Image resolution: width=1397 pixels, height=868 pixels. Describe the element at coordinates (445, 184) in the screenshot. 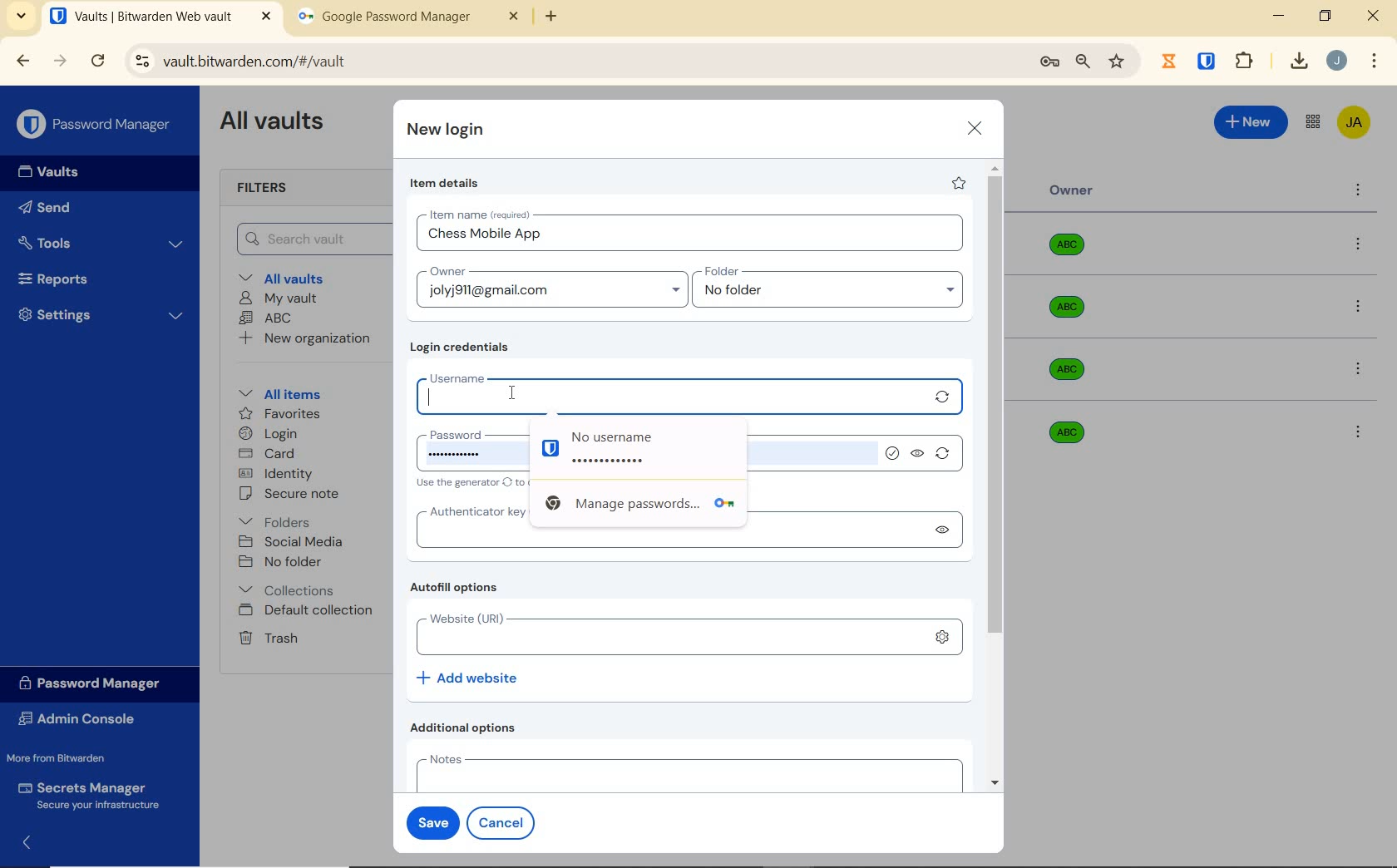

I see `item details` at that location.